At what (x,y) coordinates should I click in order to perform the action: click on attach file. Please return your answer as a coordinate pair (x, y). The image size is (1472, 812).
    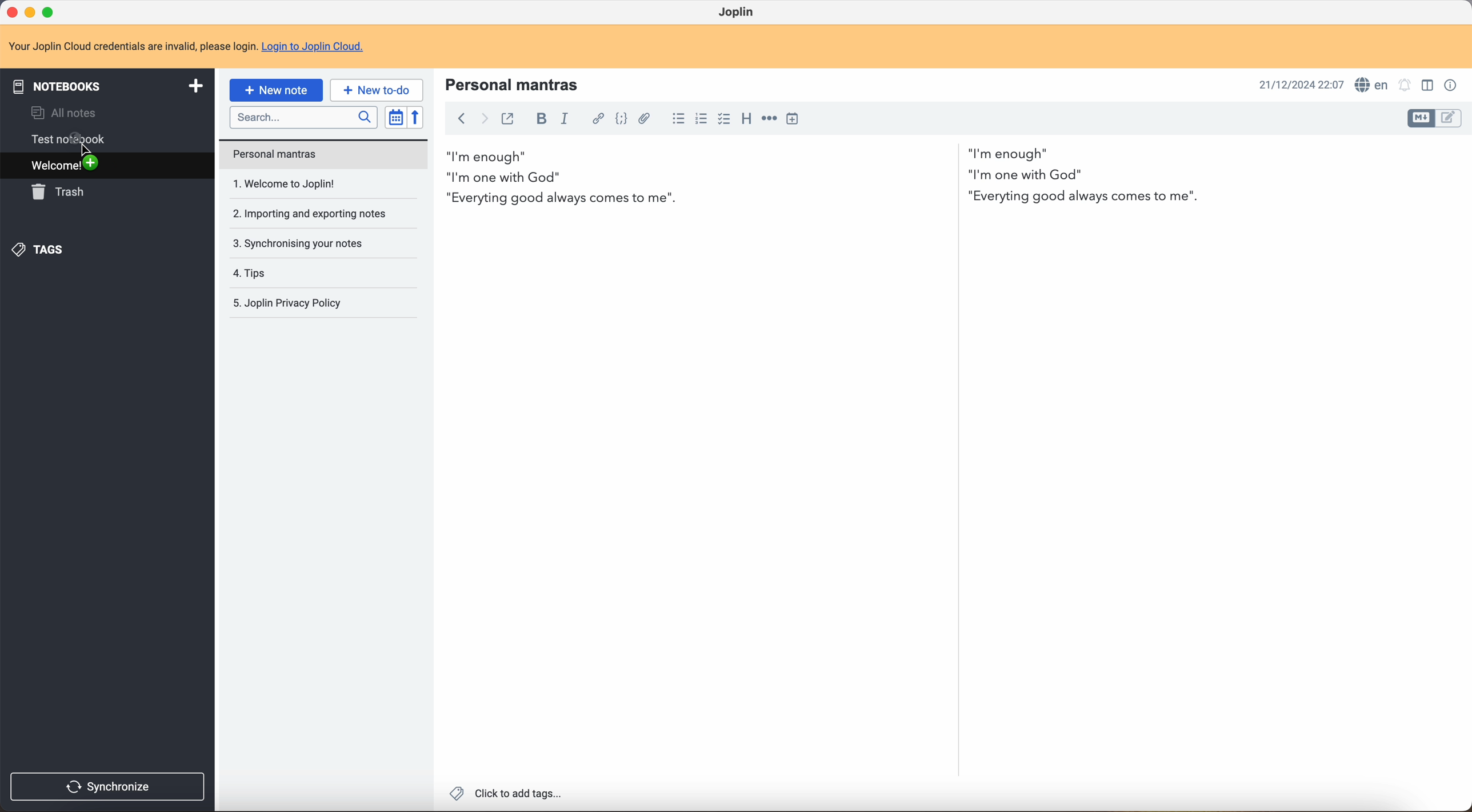
    Looking at the image, I should click on (646, 119).